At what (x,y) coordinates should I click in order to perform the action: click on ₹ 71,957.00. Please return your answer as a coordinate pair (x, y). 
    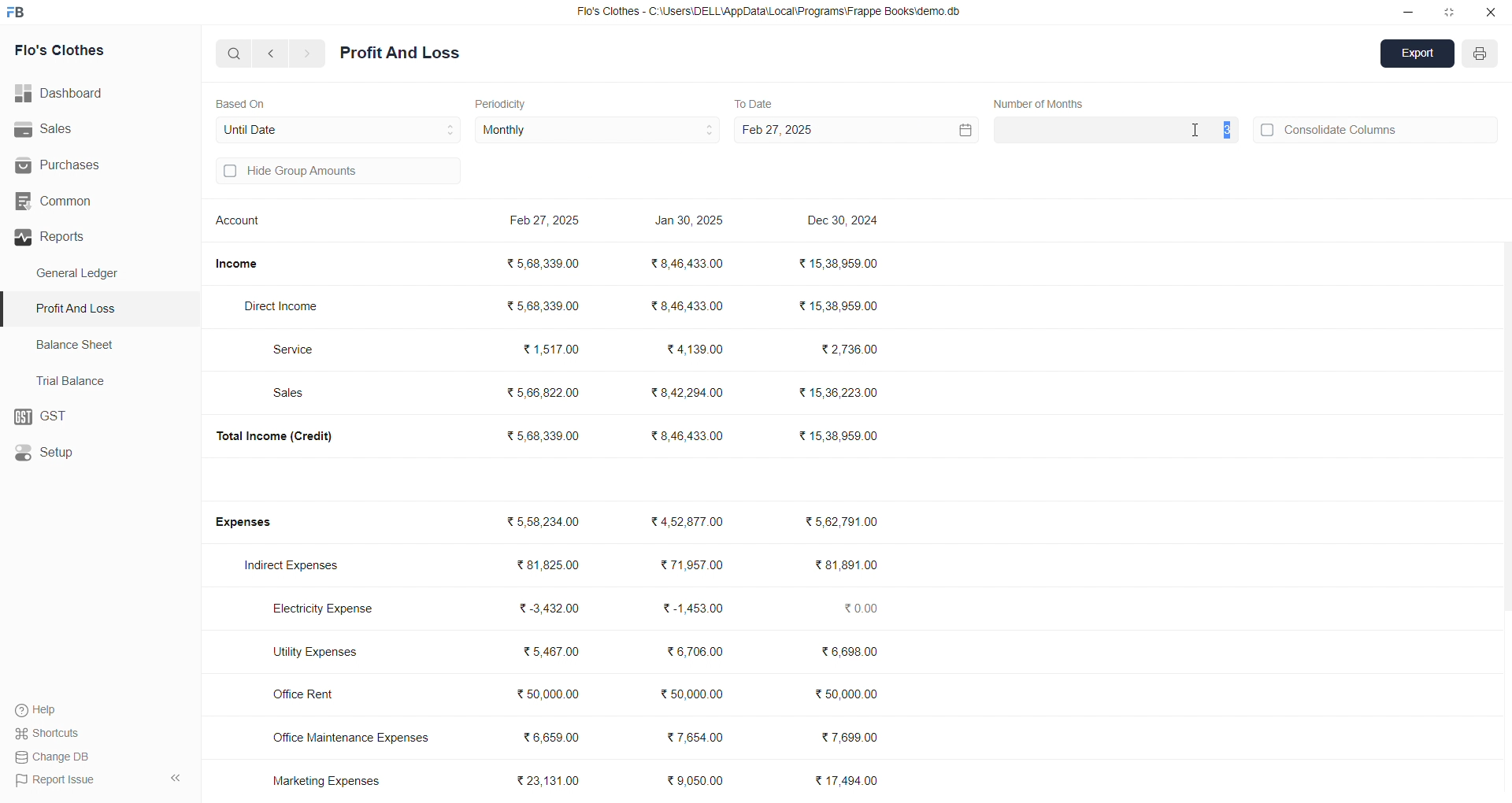
    Looking at the image, I should click on (691, 565).